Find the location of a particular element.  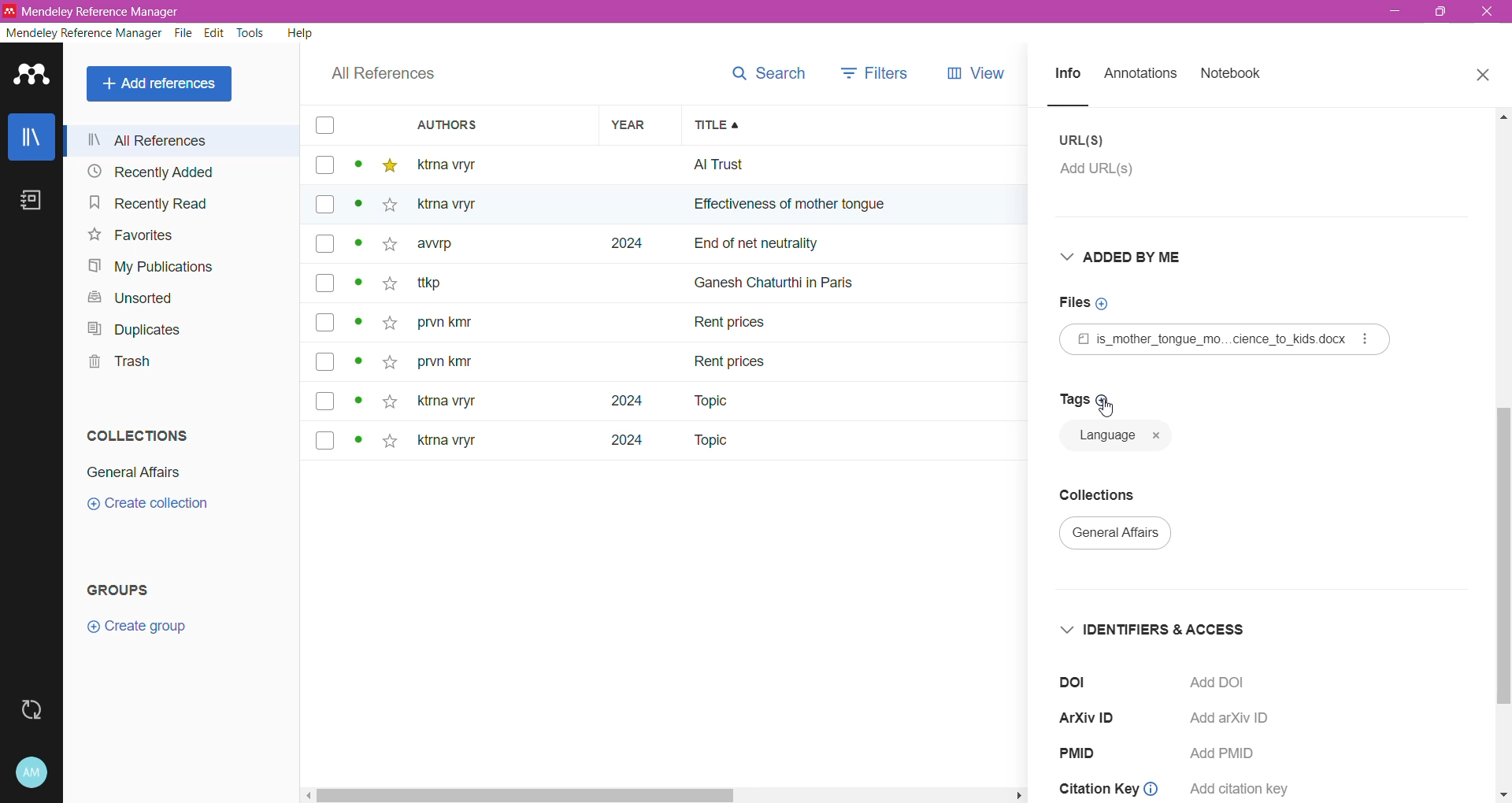

filters  is located at coordinates (875, 72).